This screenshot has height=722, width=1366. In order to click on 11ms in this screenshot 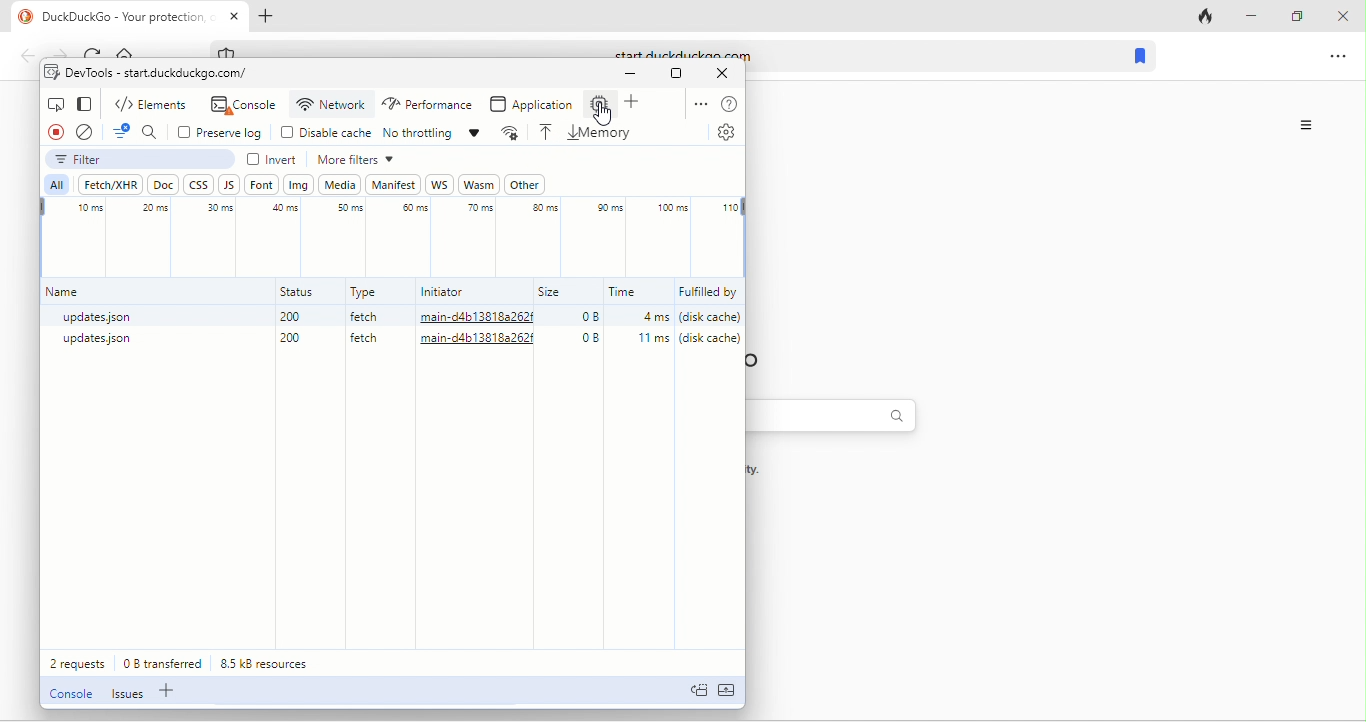, I will do `click(653, 342)`.